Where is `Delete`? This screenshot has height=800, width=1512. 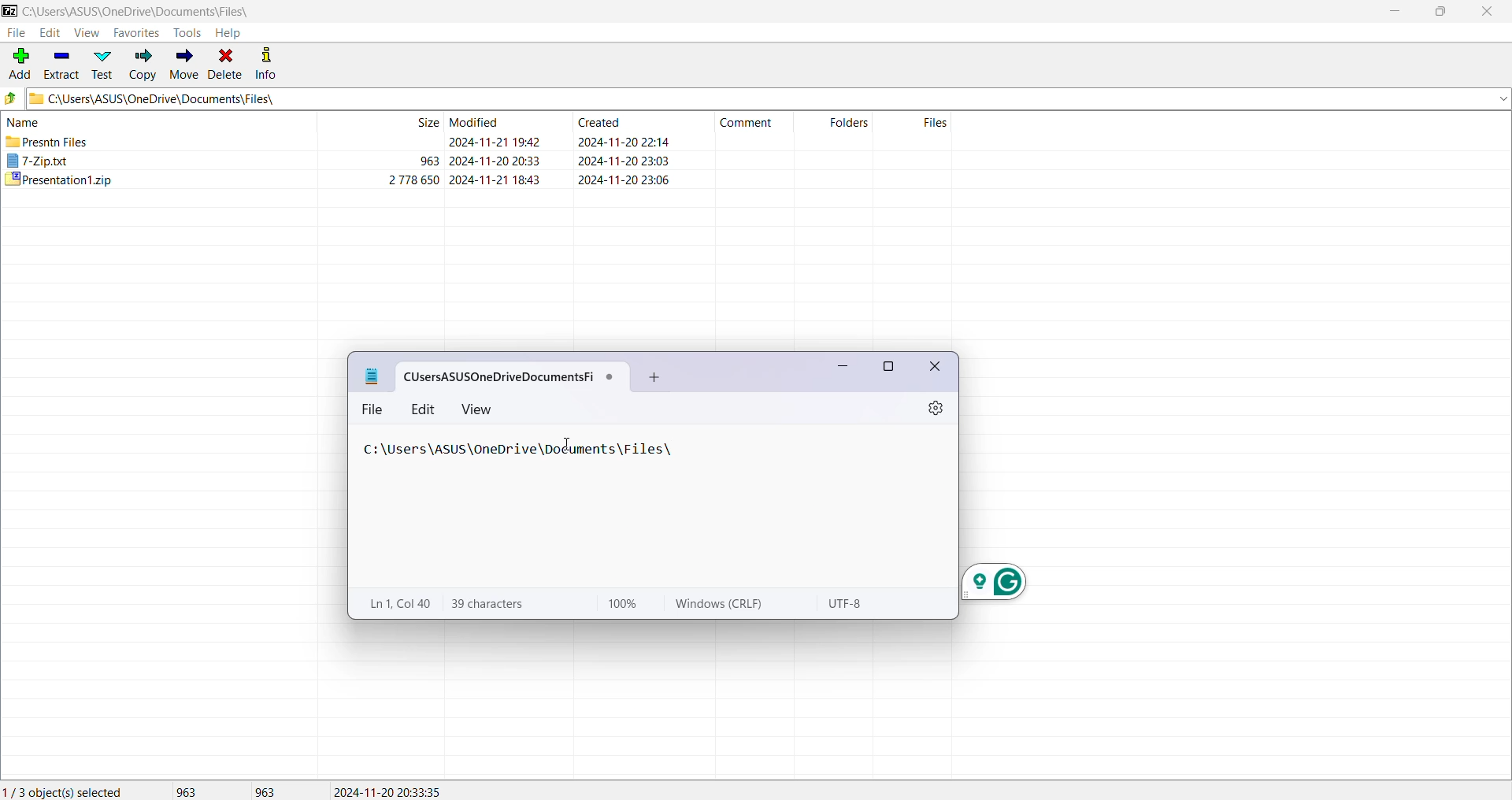
Delete is located at coordinates (227, 64).